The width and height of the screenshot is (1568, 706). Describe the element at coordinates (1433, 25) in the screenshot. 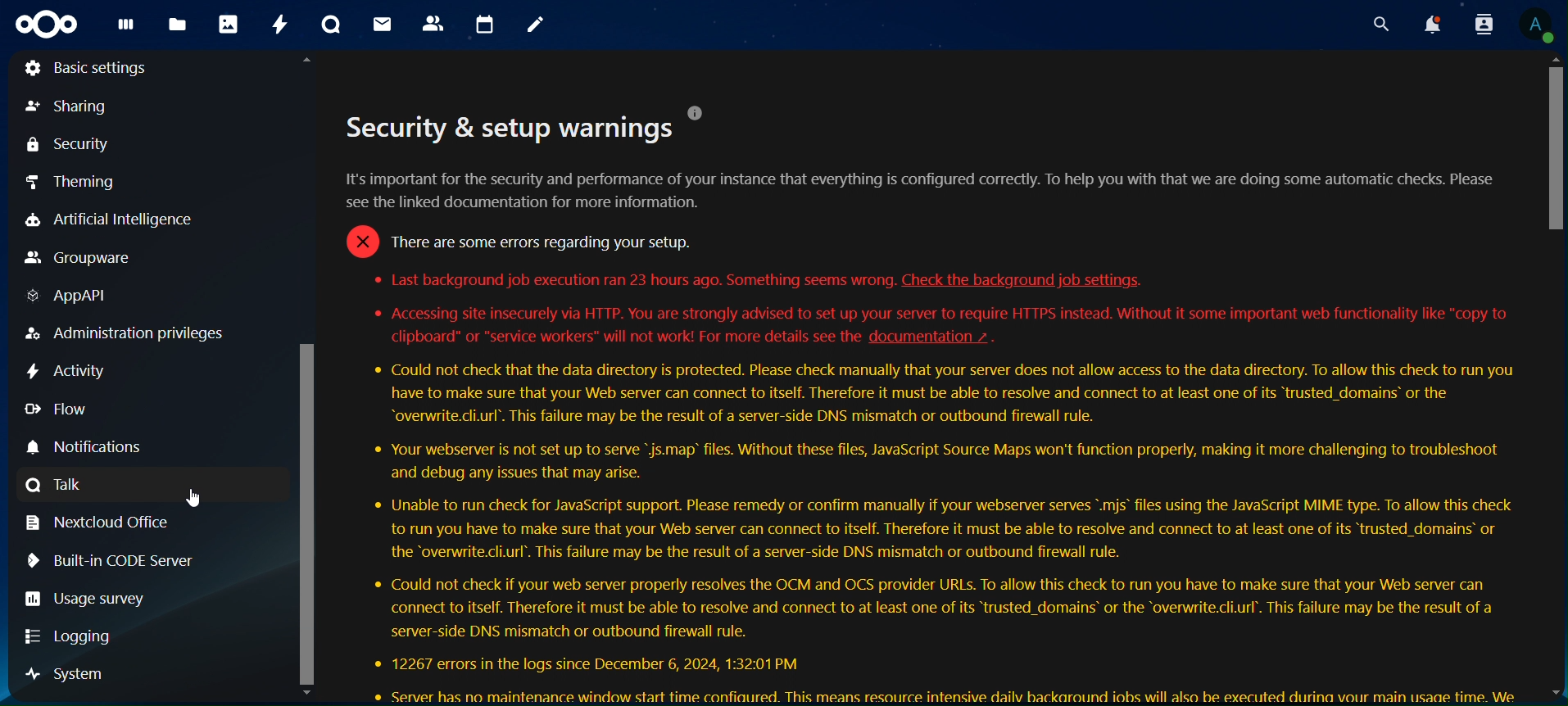

I see `notifications` at that location.